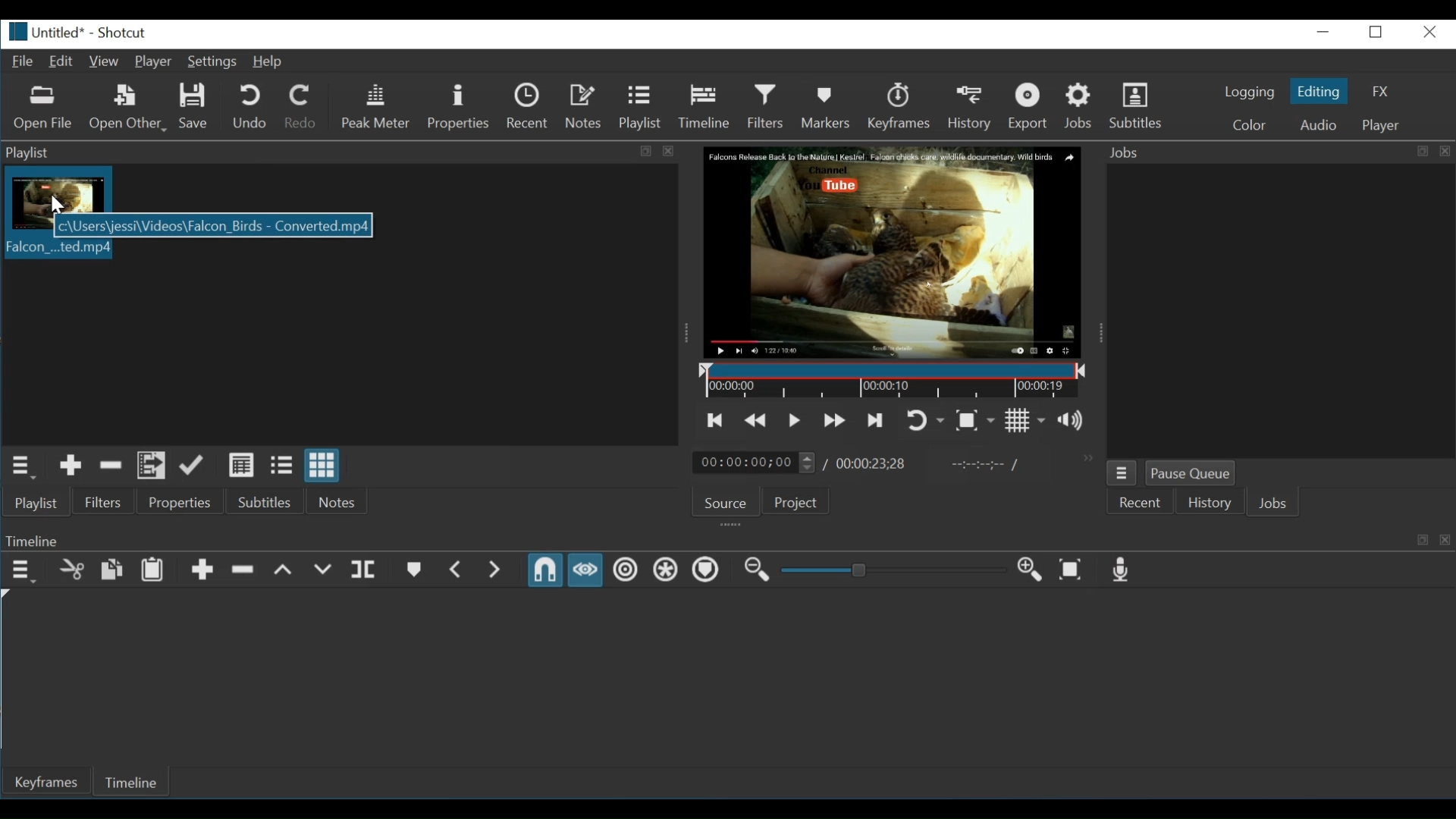 The width and height of the screenshot is (1456, 819). Describe the element at coordinates (1205, 505) in the screenshot. I see `History` at that location.